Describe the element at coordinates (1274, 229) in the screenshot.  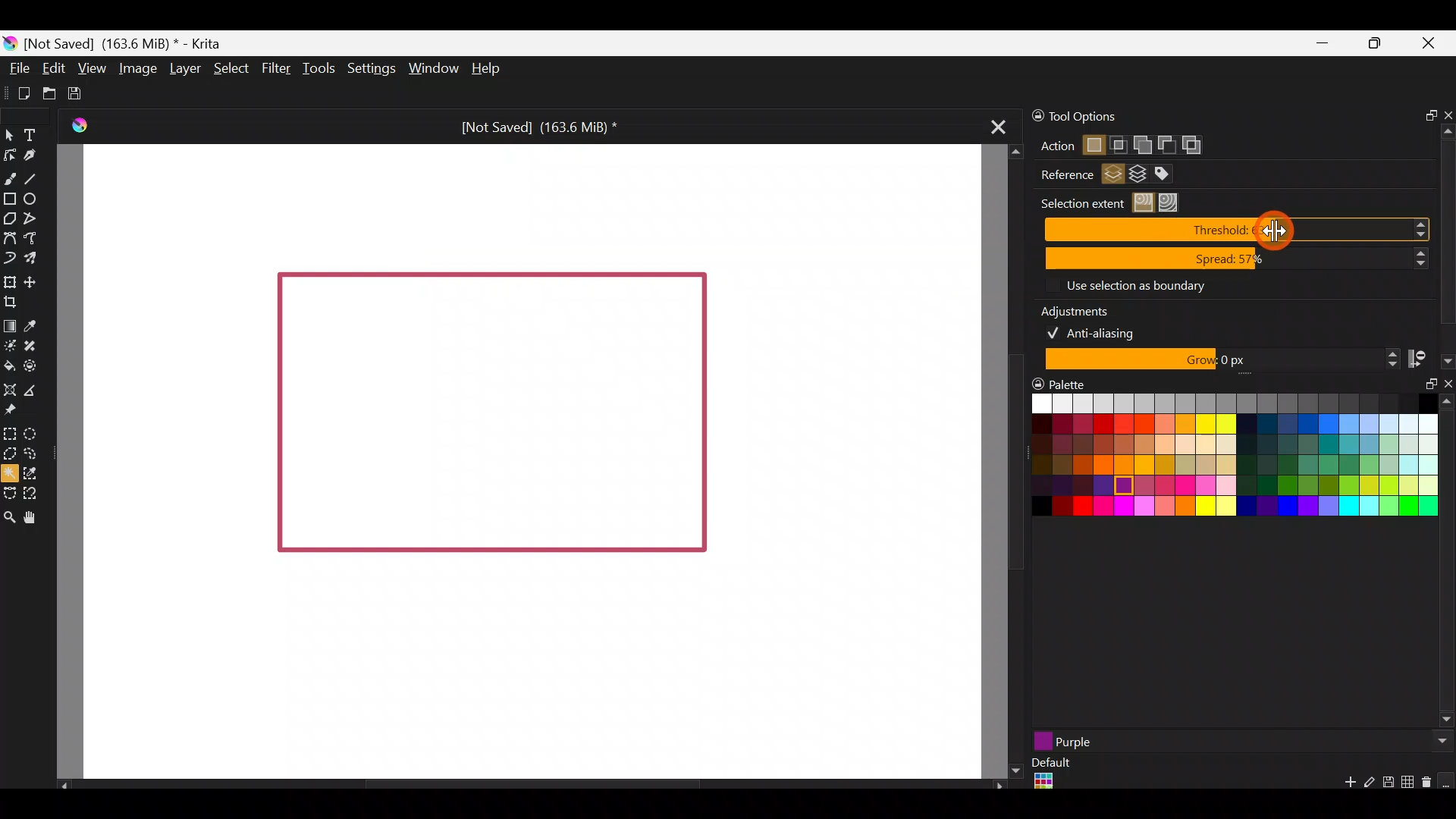
I see `Cursor` at that location.